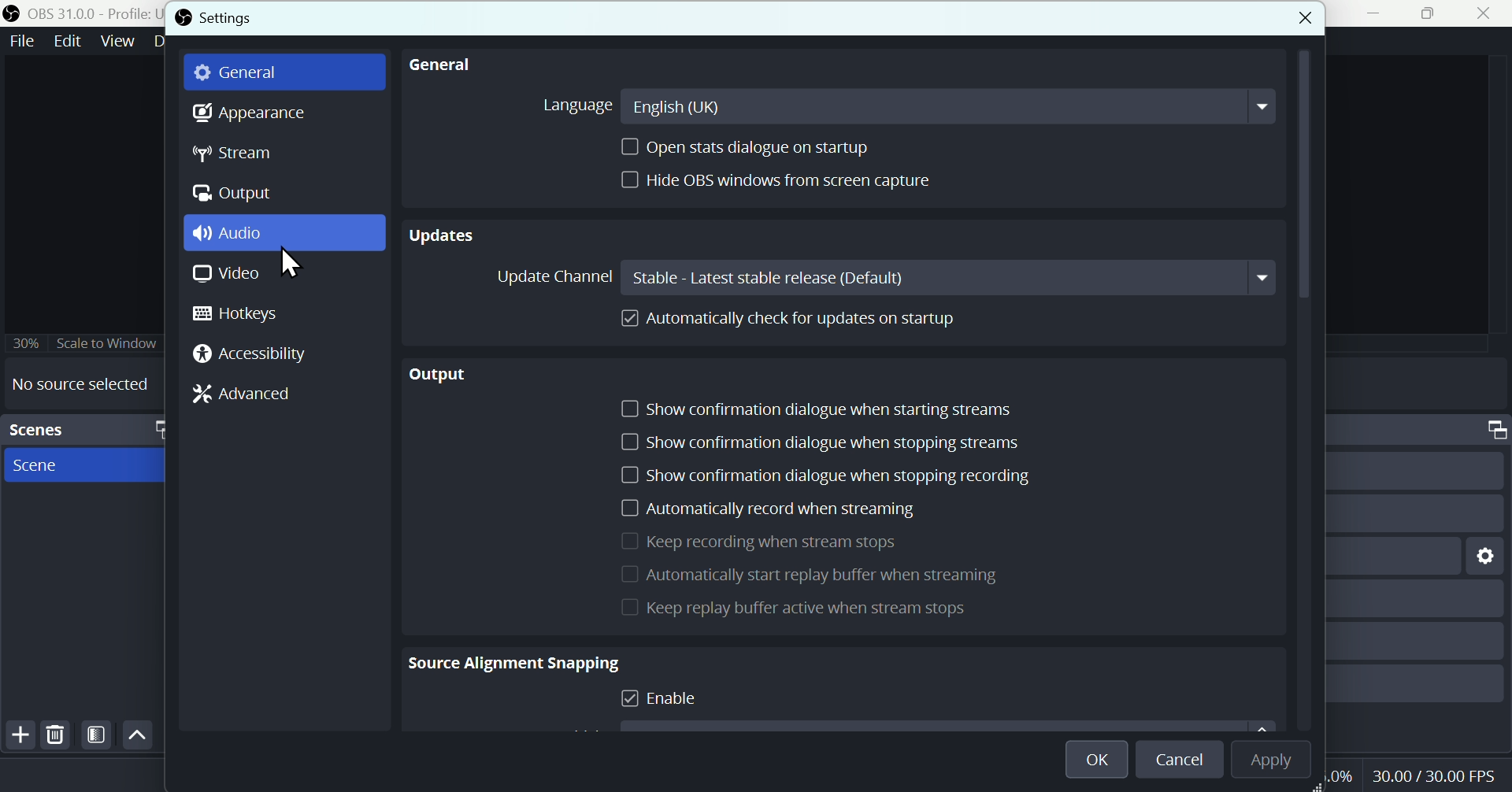 This screenshot has height=792, width=1512. I want to click on 30% scale to window, so click(82, 344).